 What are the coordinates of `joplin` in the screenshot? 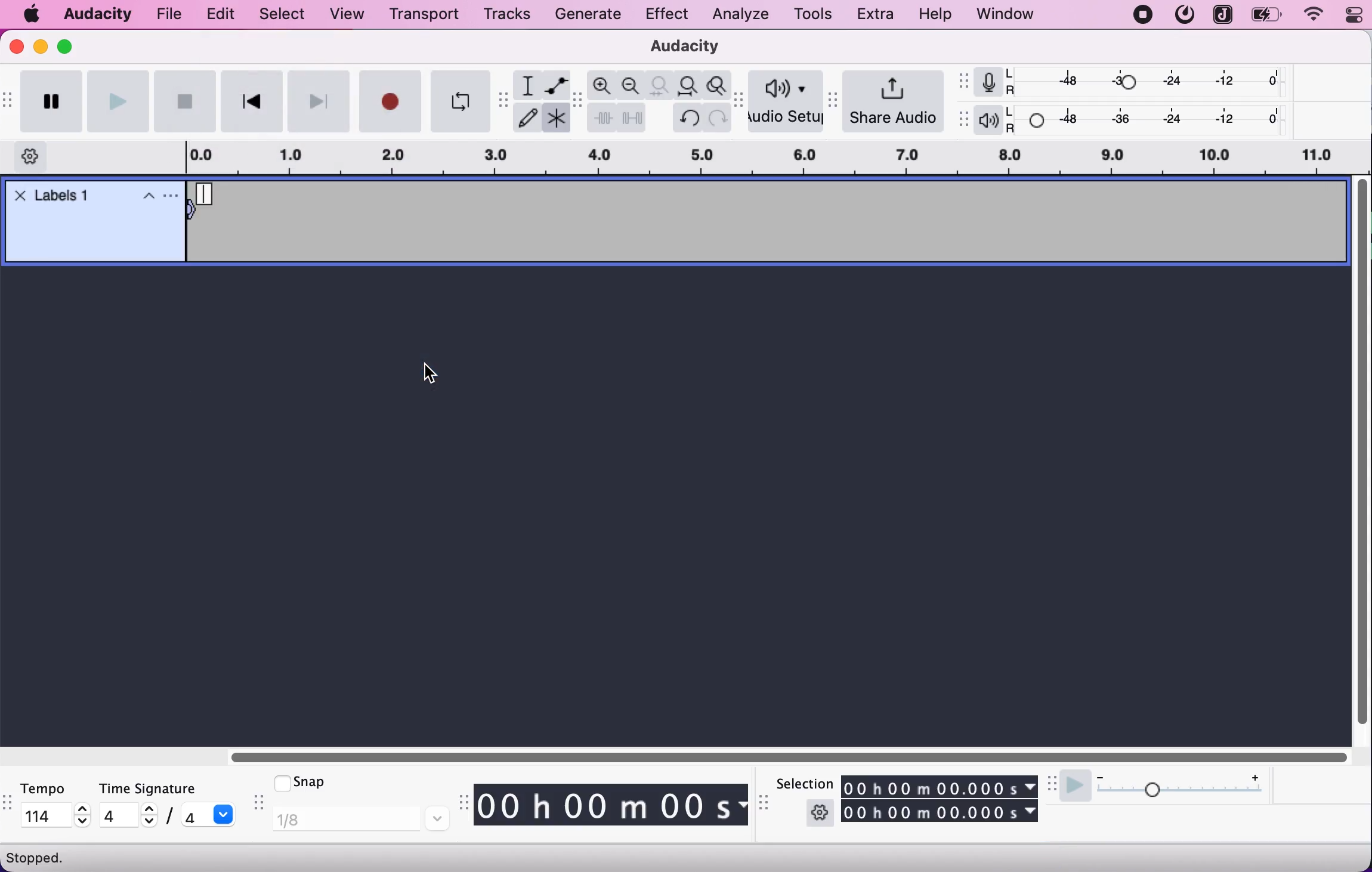 It's located at (1222, 14).